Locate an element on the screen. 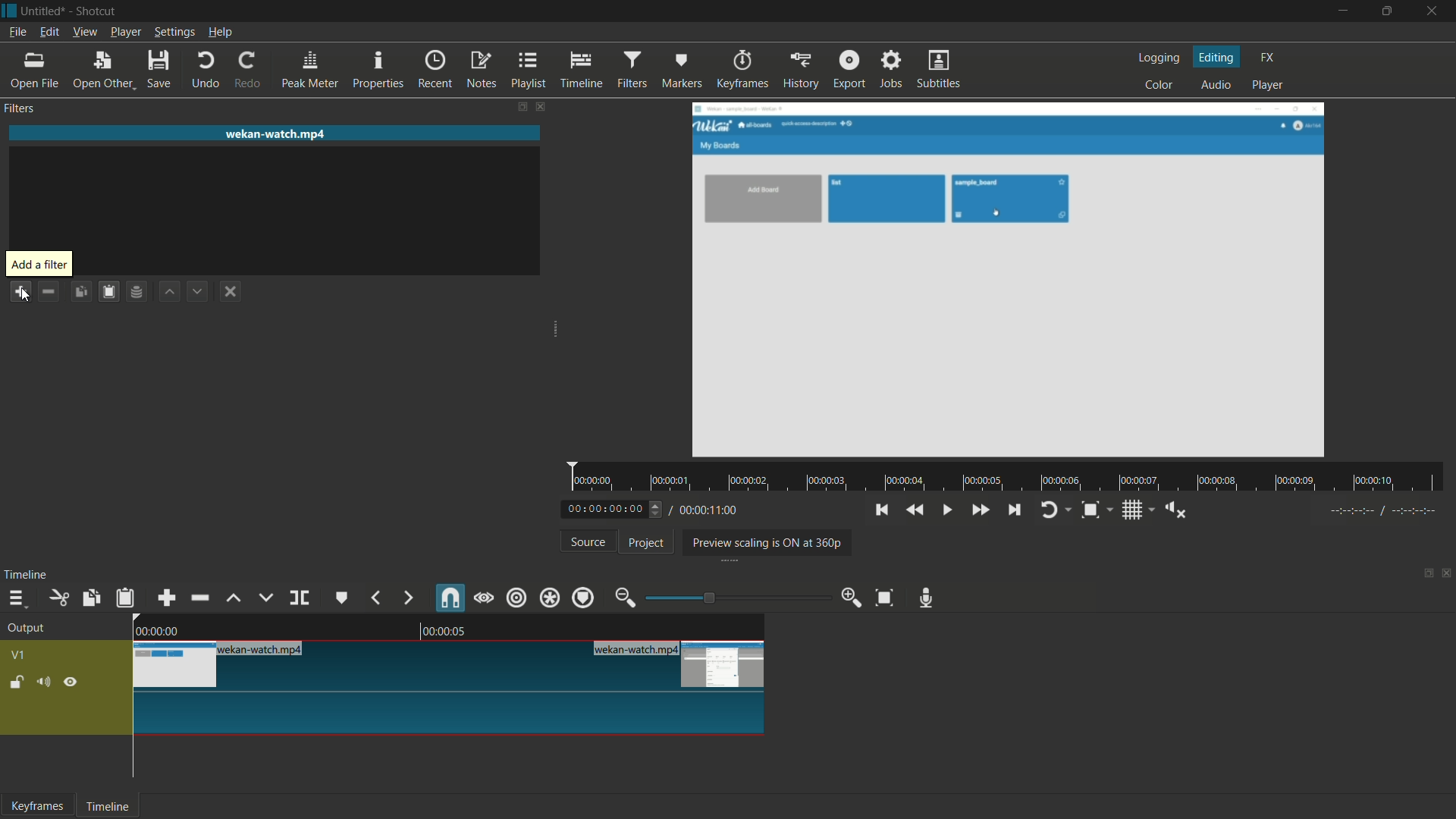 Image resolution: width=1456 pixels, height=819 pixels. view menu is located at coordinates (85, 33).